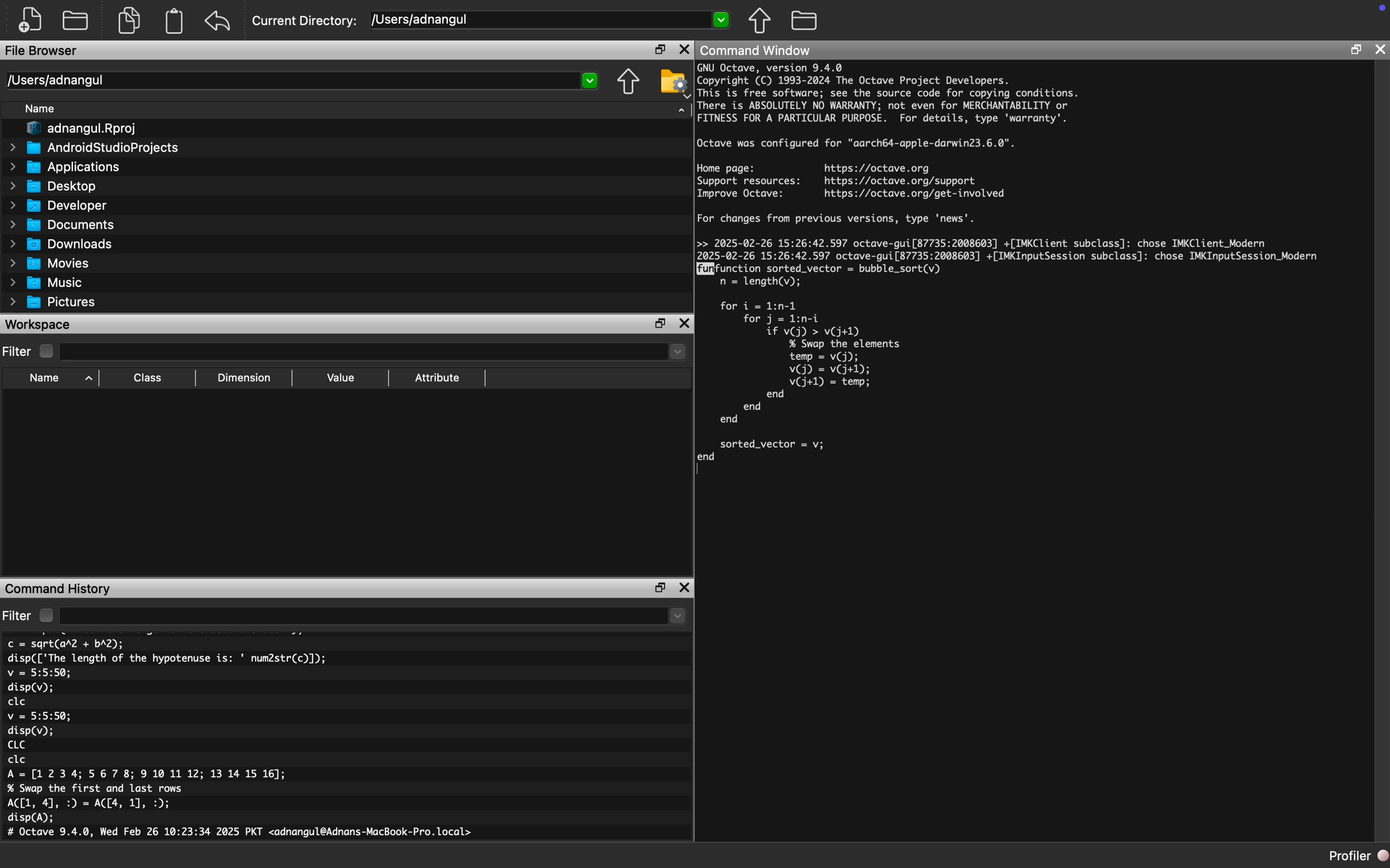 Image resolution: width=1390 pixels, height=868 pixels. I want to click on v = 5:5:50;, so click(39, 716).